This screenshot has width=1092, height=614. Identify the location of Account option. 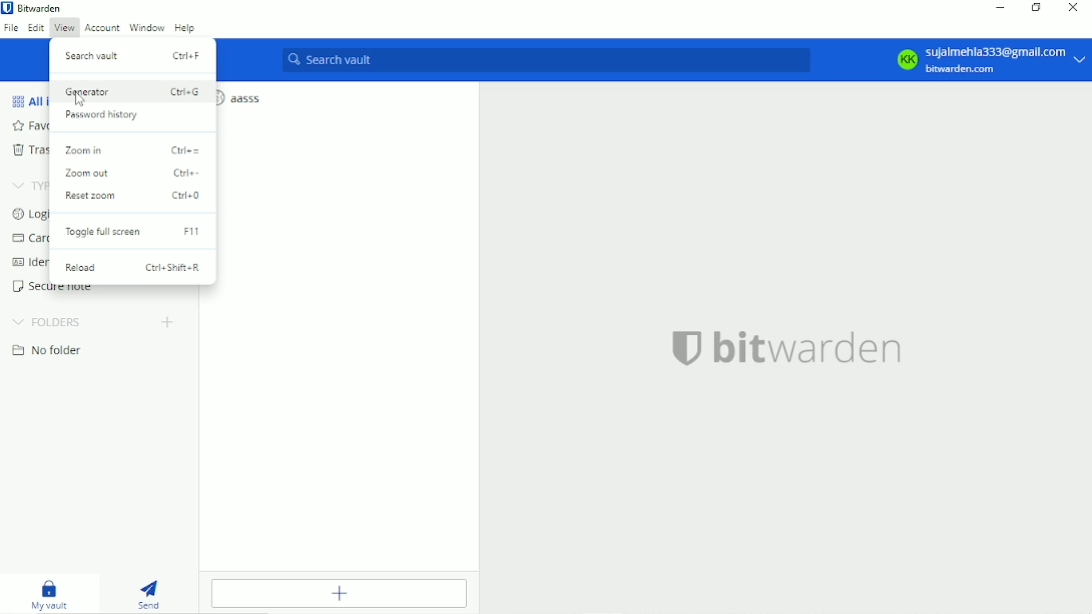
(988, 60).